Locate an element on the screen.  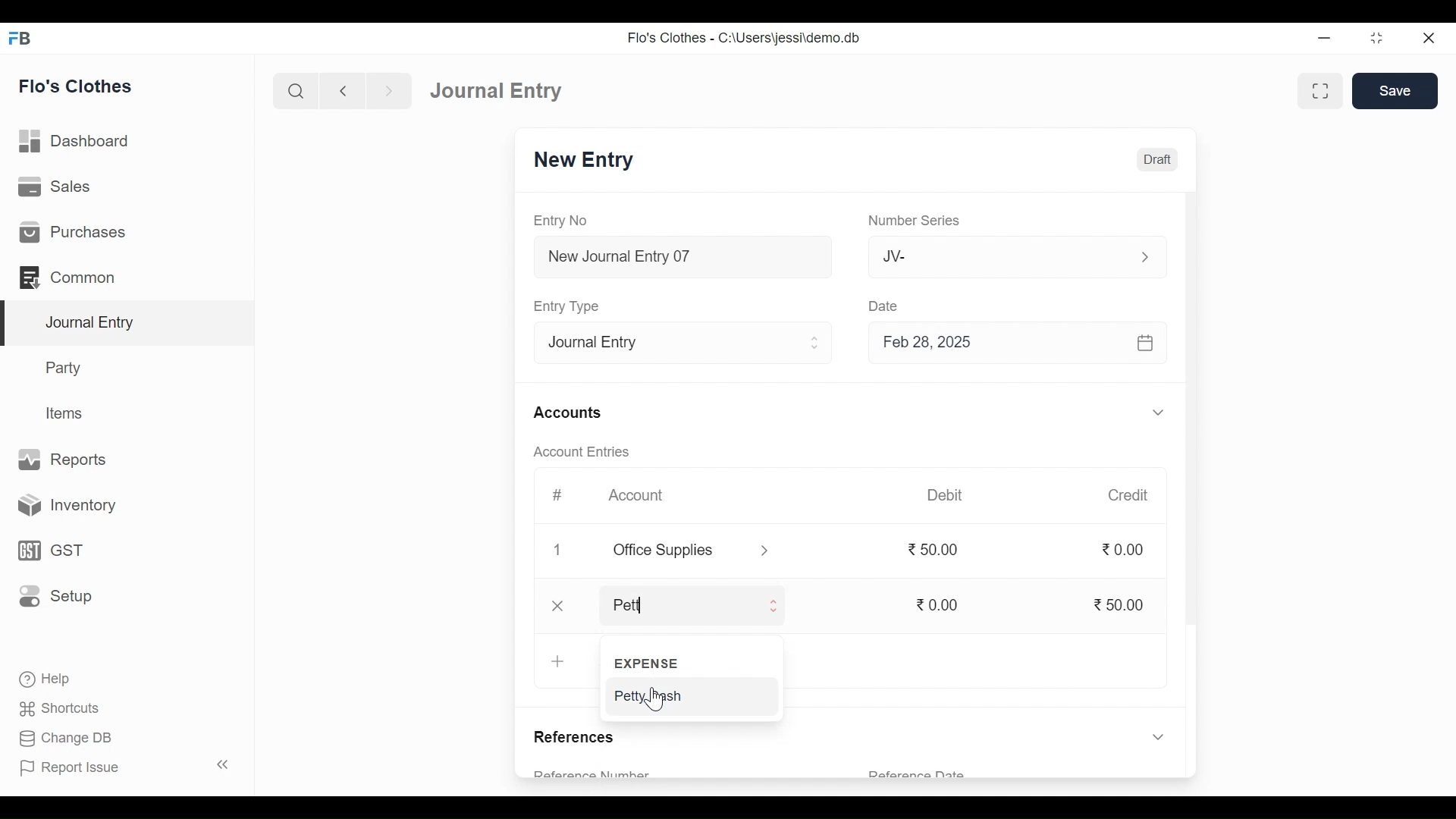
New Entry is located at coordinates (588, 160).